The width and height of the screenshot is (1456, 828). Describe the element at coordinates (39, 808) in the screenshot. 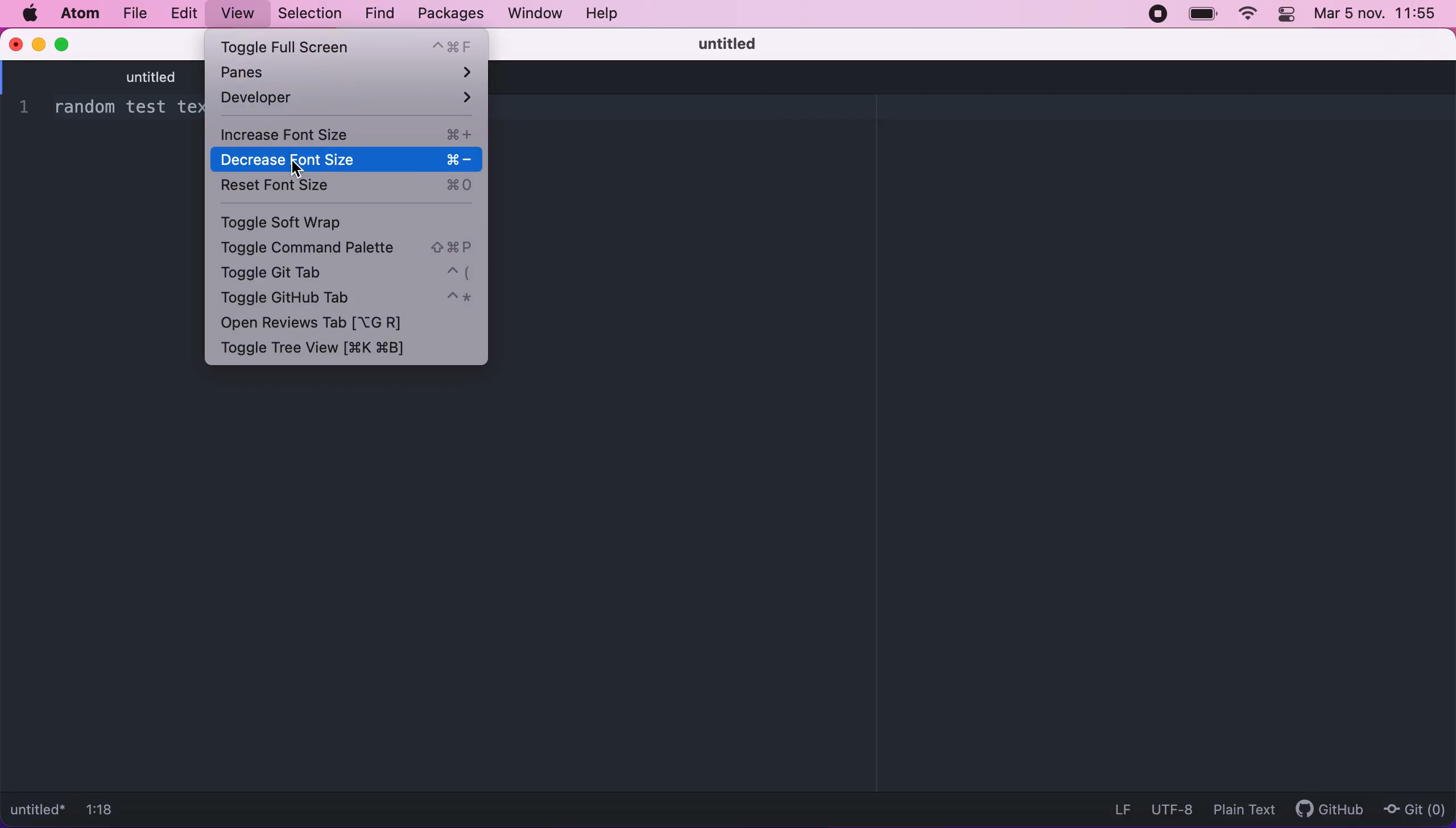

I see `untitled*` at that location.